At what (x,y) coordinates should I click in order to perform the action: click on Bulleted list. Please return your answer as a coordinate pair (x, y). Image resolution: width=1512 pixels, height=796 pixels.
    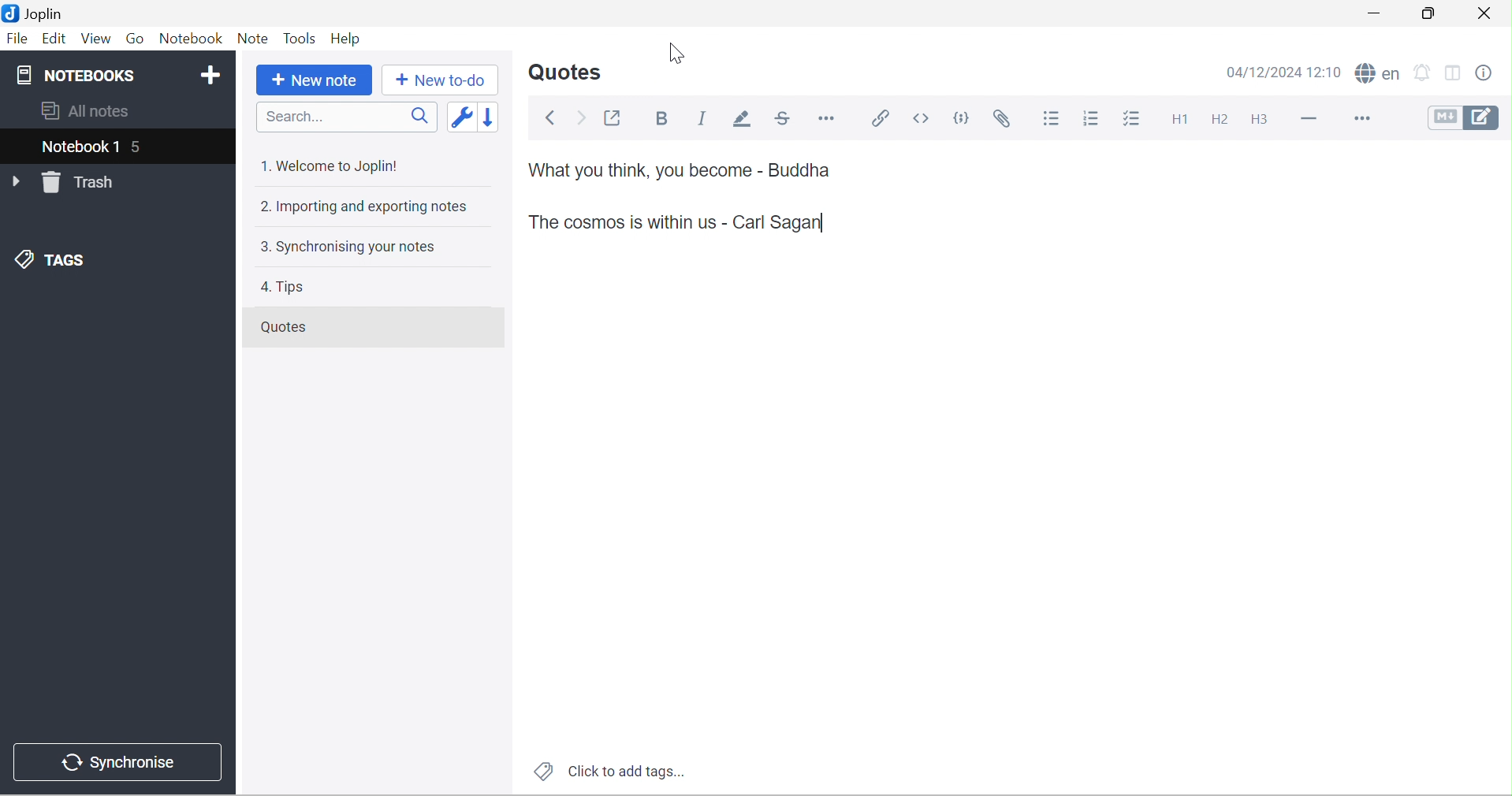
    Looking at the image, I should click on (1052, 121).